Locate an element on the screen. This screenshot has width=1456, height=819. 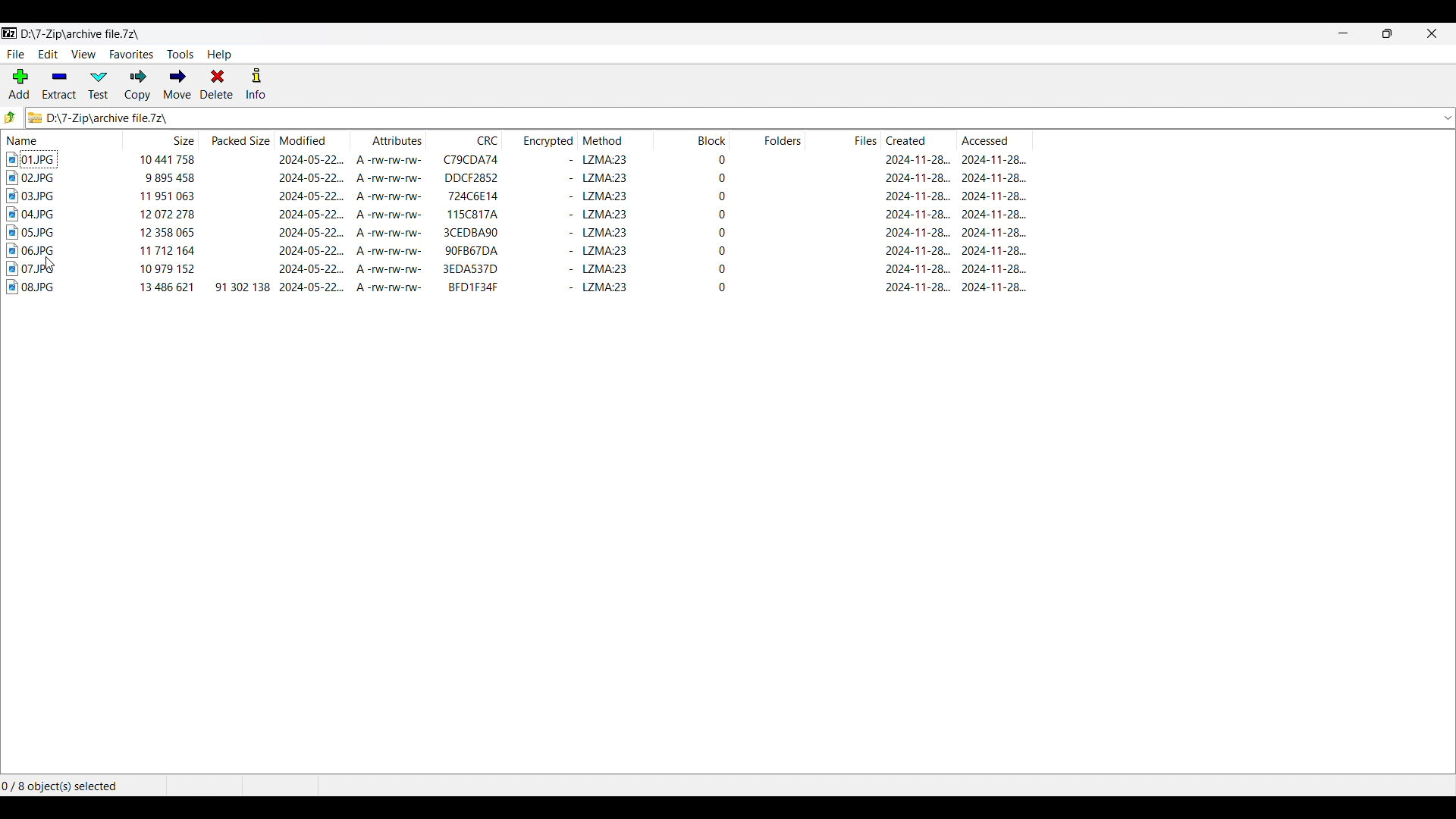
Help menu is located at coordinates (219, 55).